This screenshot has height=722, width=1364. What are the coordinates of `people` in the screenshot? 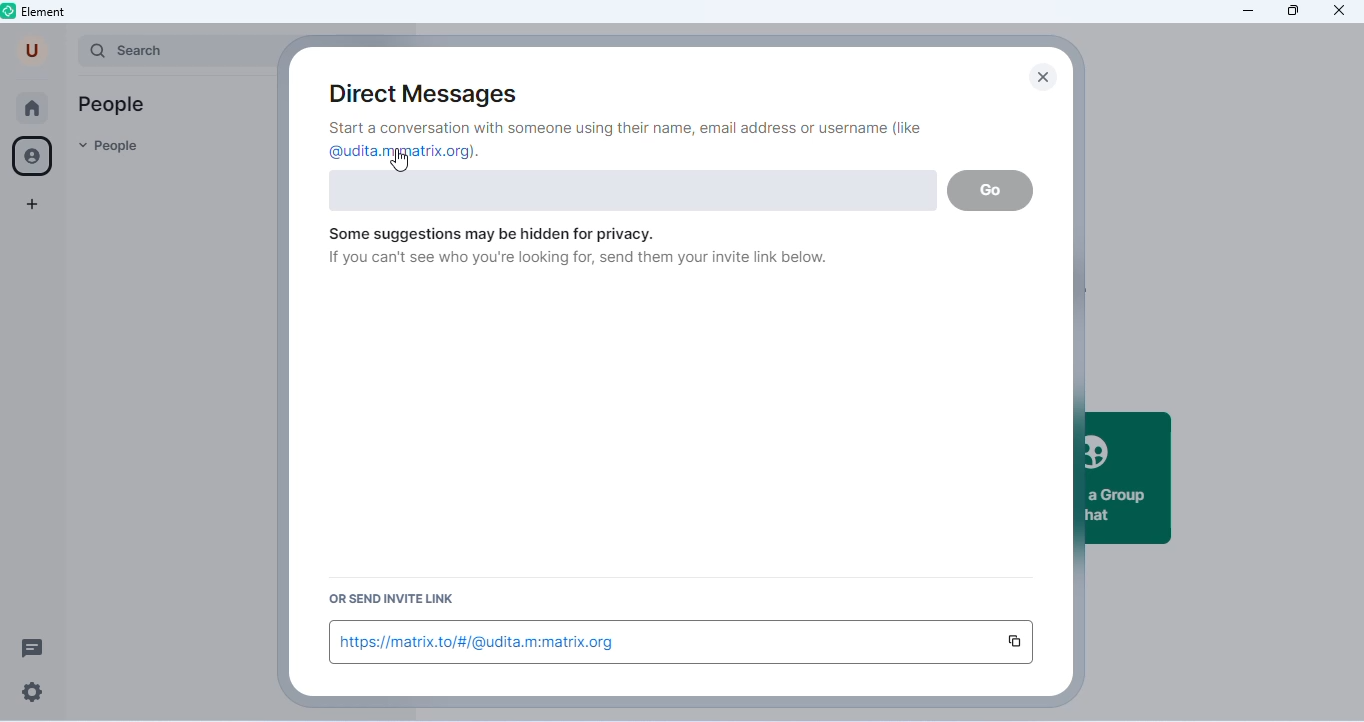 It's located at (110, 148).